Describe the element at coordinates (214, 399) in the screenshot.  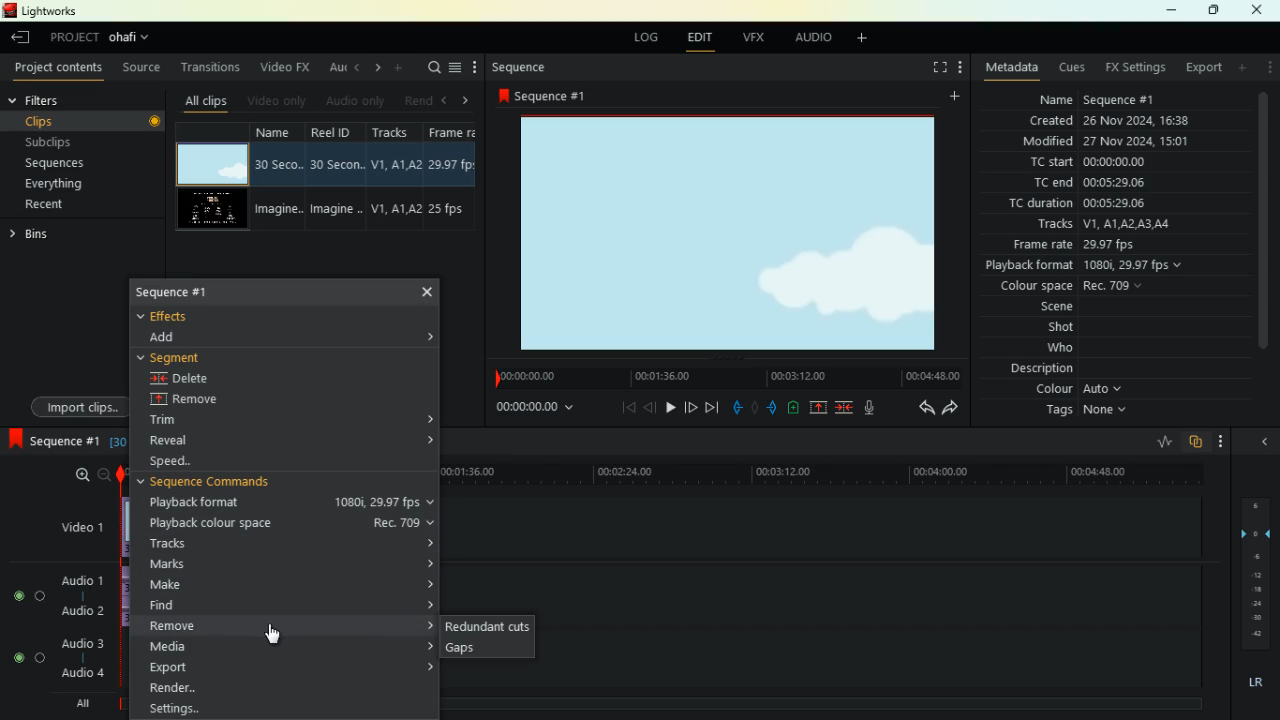
I see `remove` at that location.